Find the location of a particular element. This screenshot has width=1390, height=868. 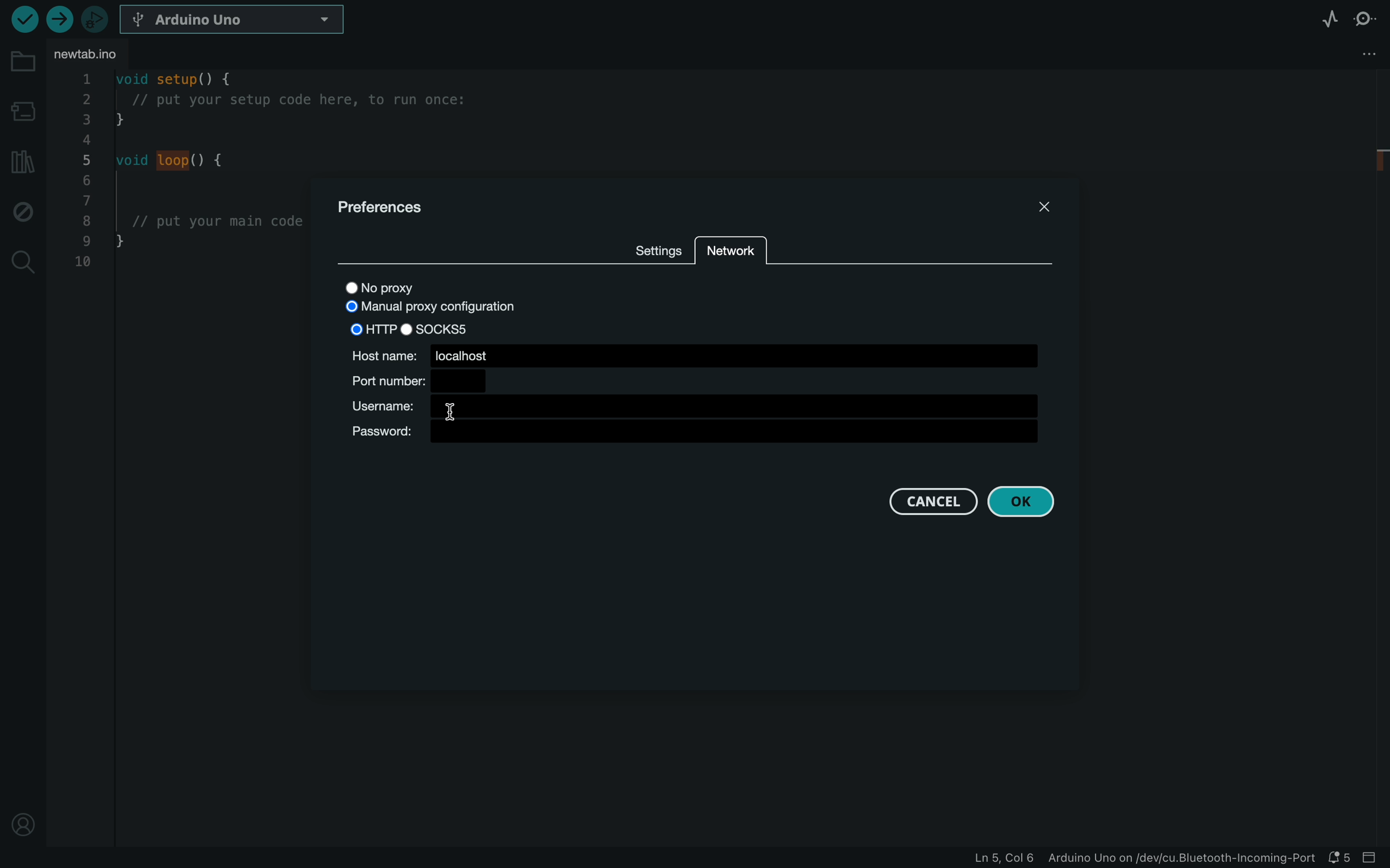

PASSword is located at coordinates (693, 433).